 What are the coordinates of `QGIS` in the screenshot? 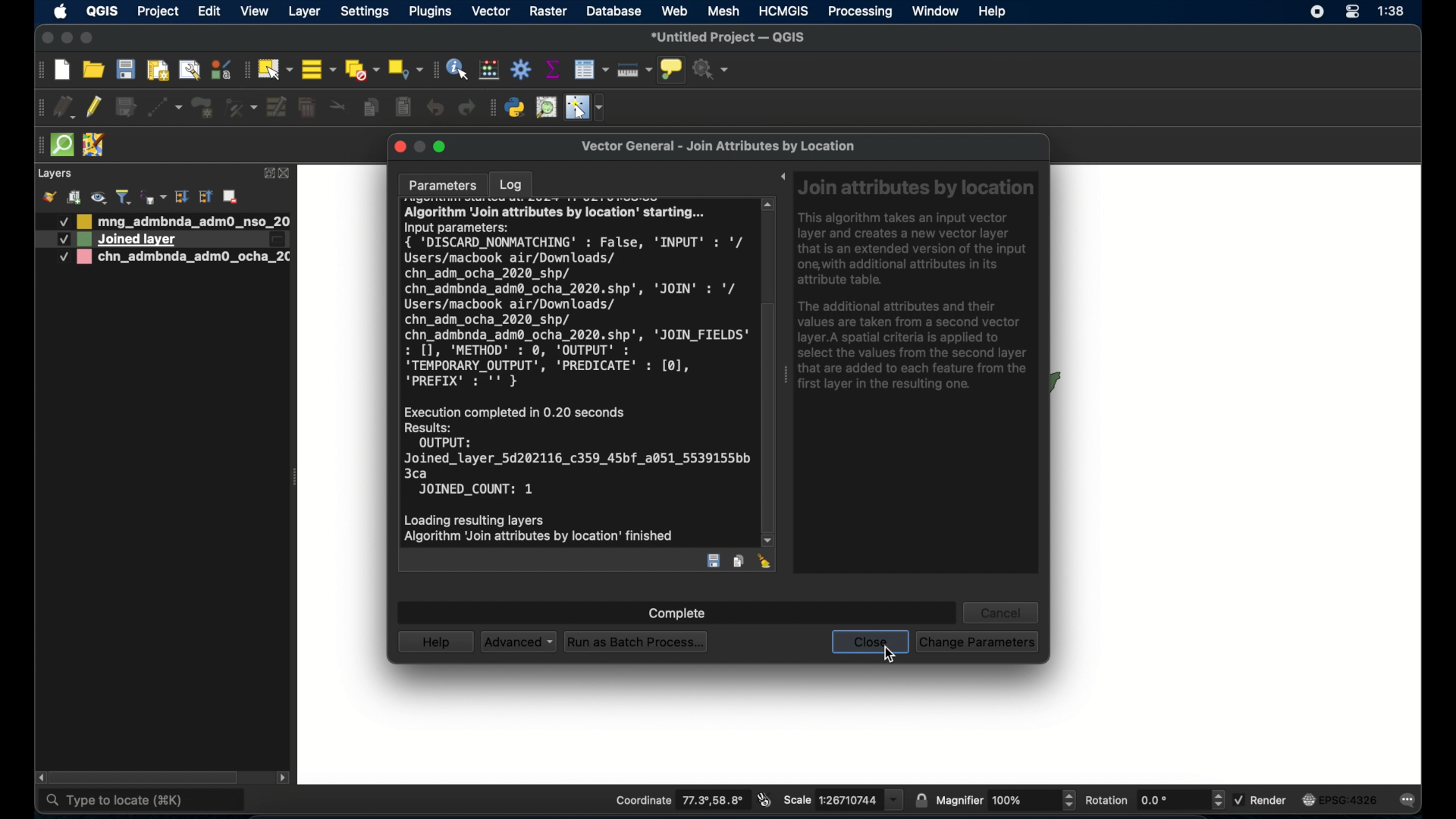 It's located at (102, 11).